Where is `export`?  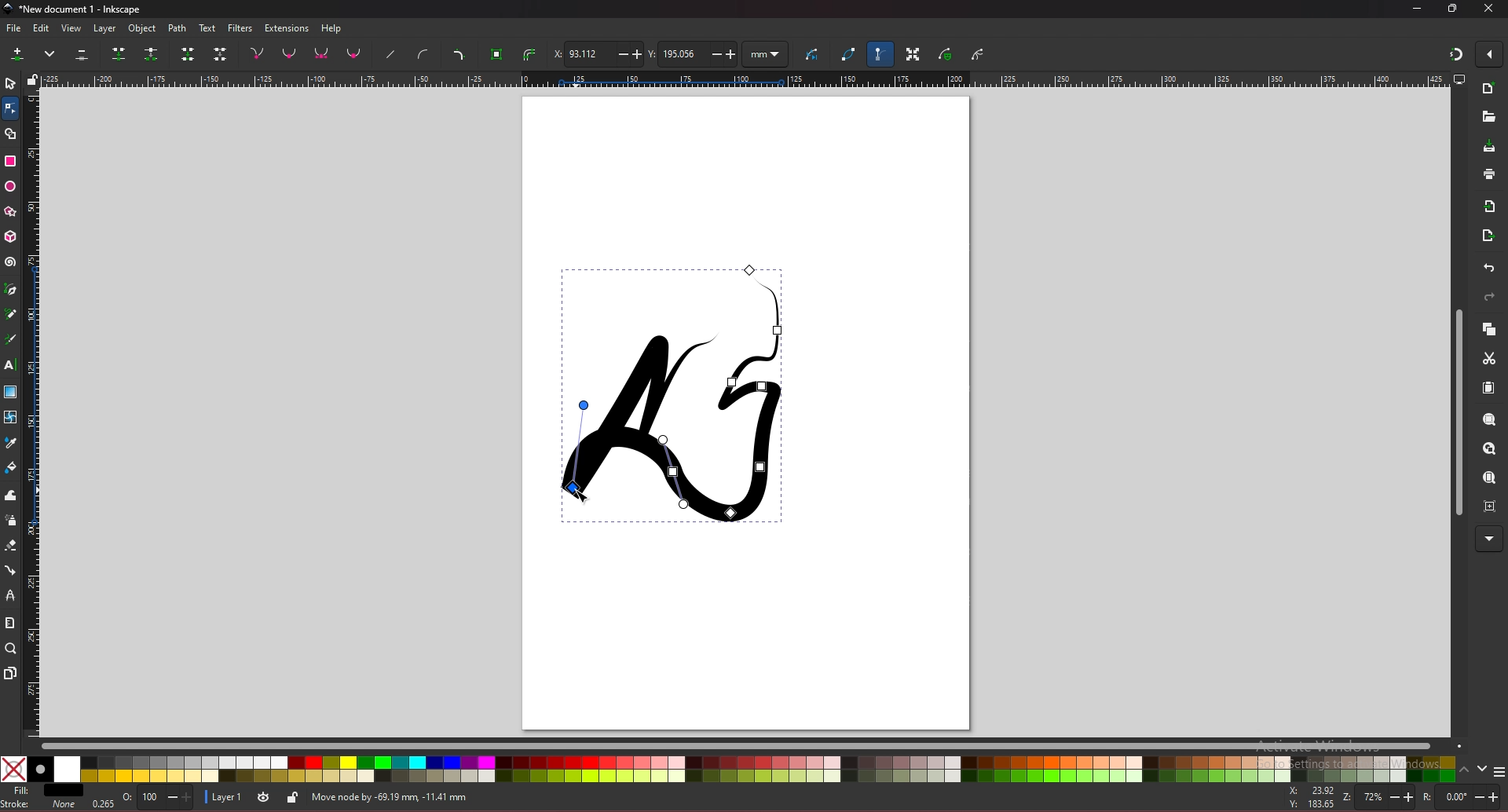
export is located at coordinates (1489, 235).